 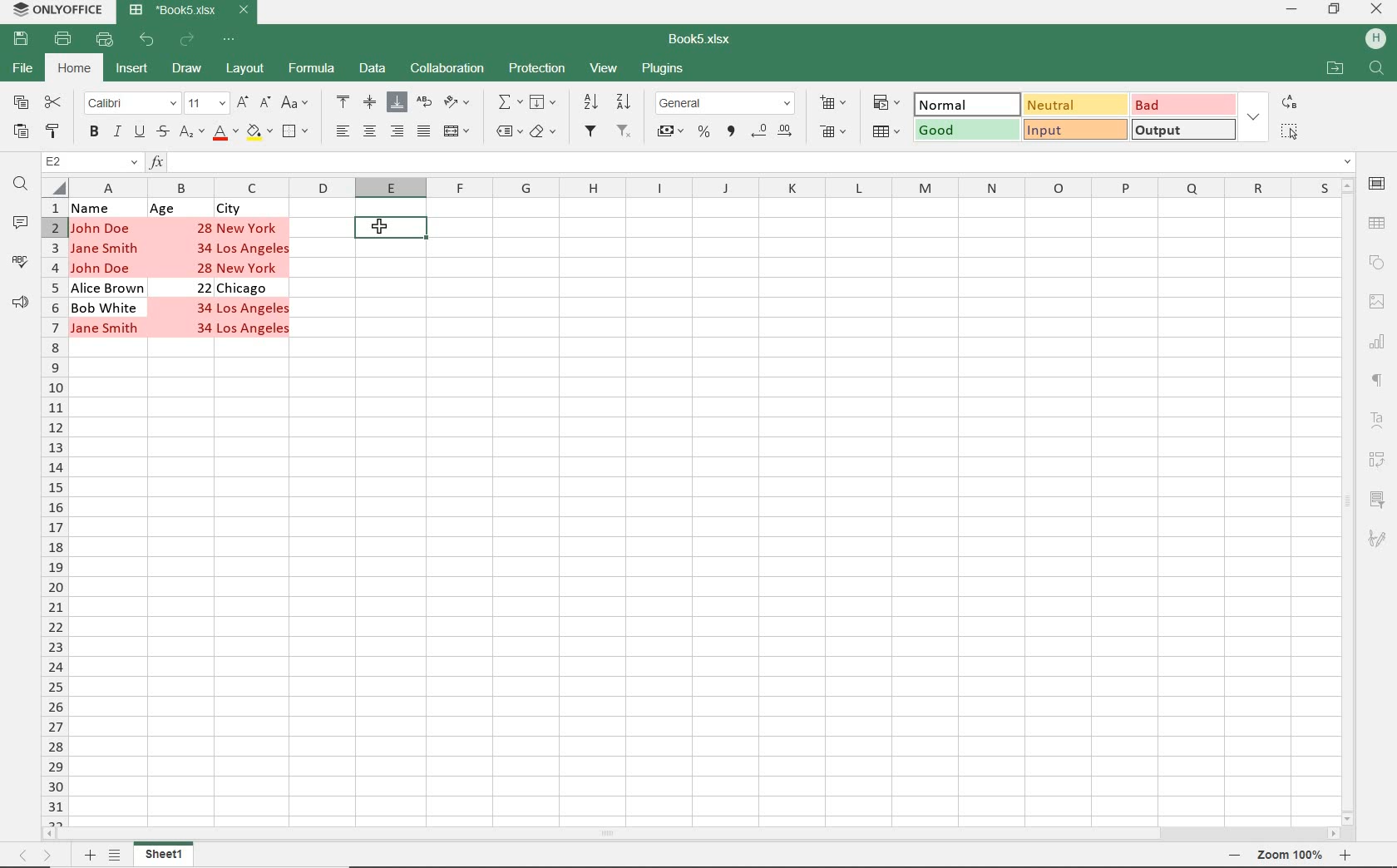 What do you see at coordinates (670, 132) in the screenshot?
I see `ACCOUNT STYLE` at bounding box center [670, 132].